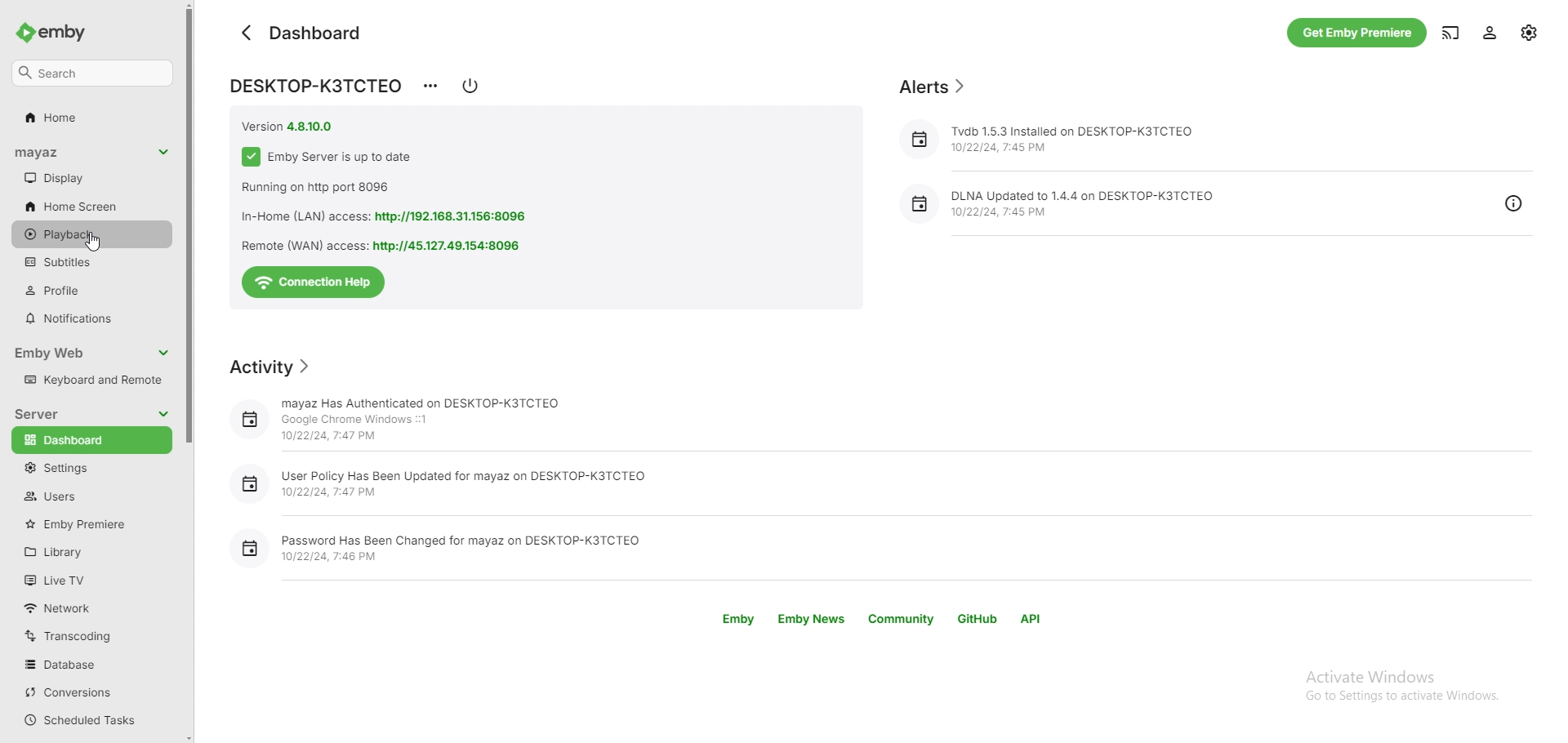  I want to click on library, so click(89, 551).